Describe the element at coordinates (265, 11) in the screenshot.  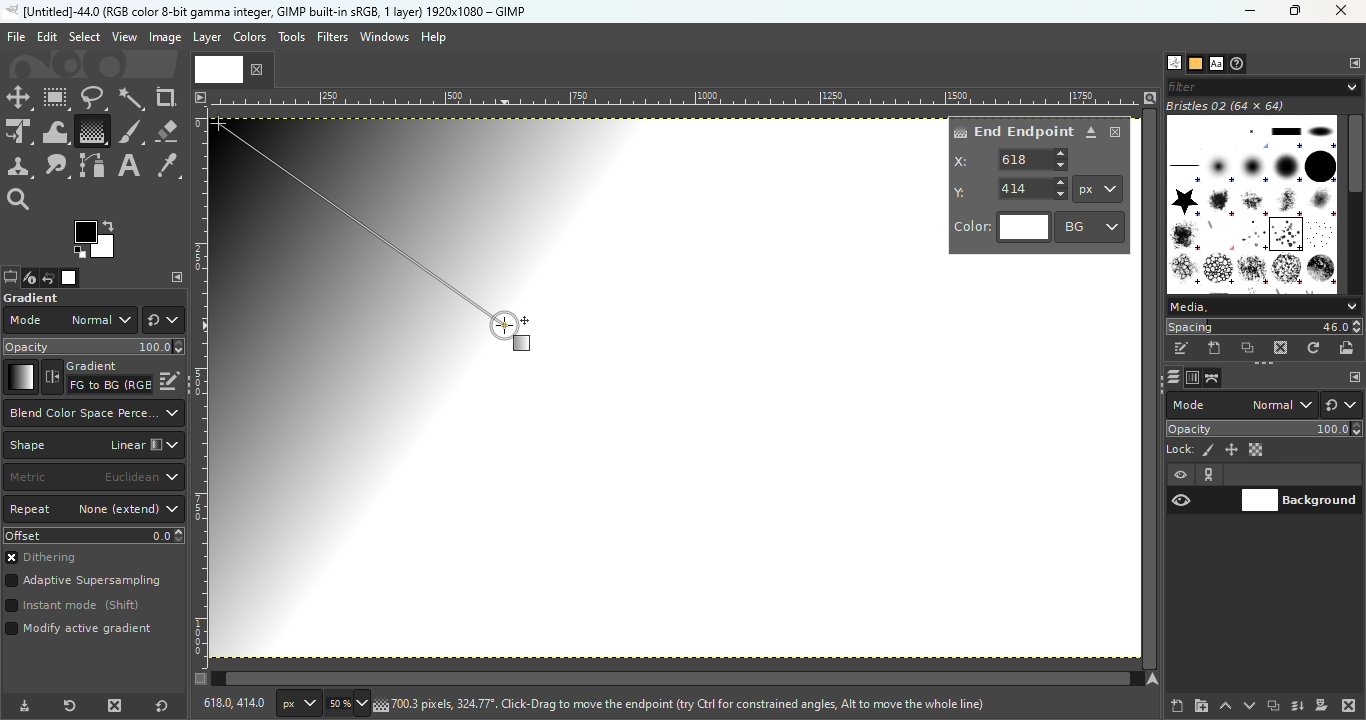
I see `untitled -36.0 (rgb color 8-bit gamma integer , gimp built in stgb, 1 layer) 1174x788 - gimp` at that location.